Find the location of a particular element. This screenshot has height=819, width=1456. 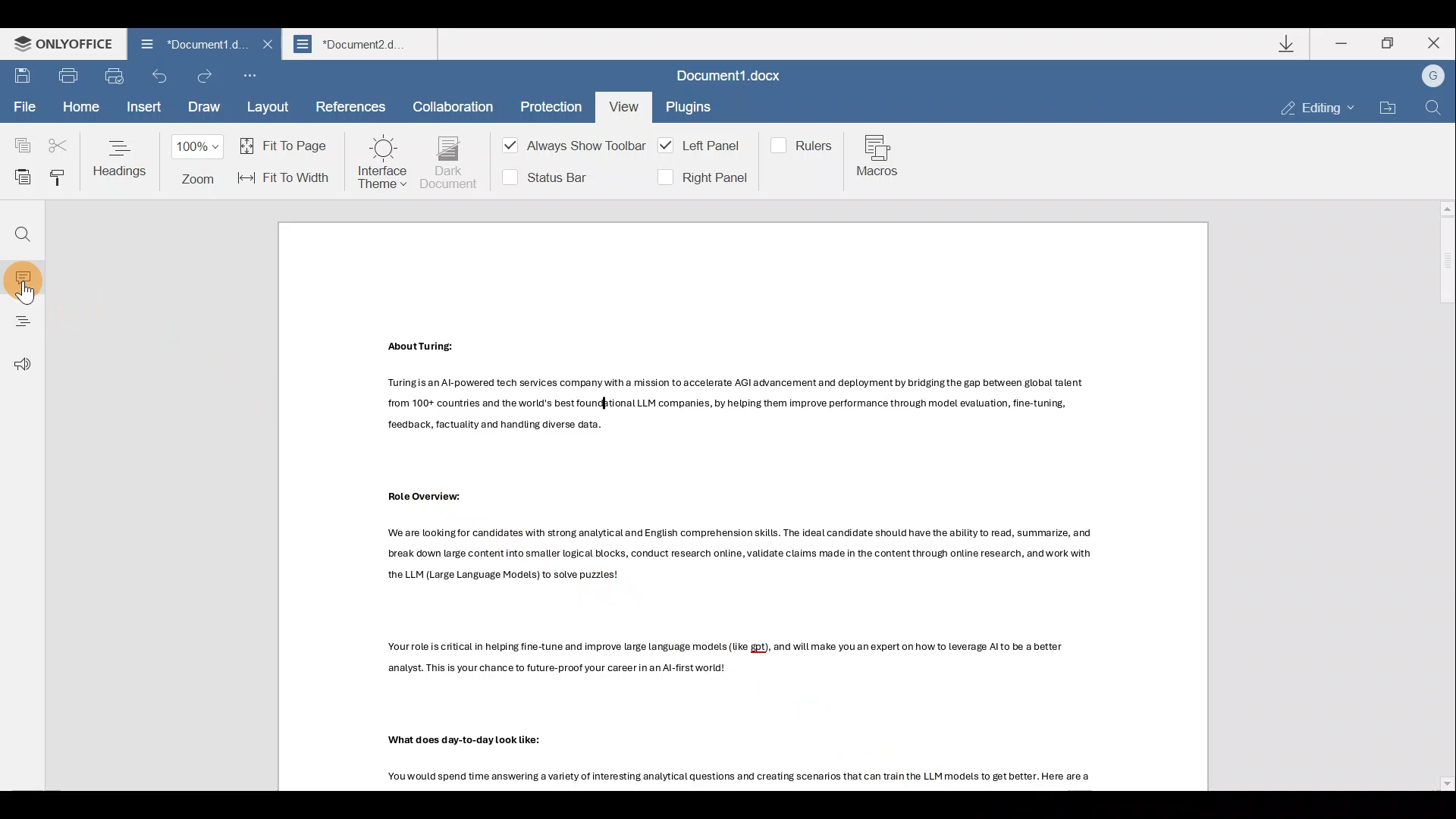

Zoom is located at coordinates (200, 162).